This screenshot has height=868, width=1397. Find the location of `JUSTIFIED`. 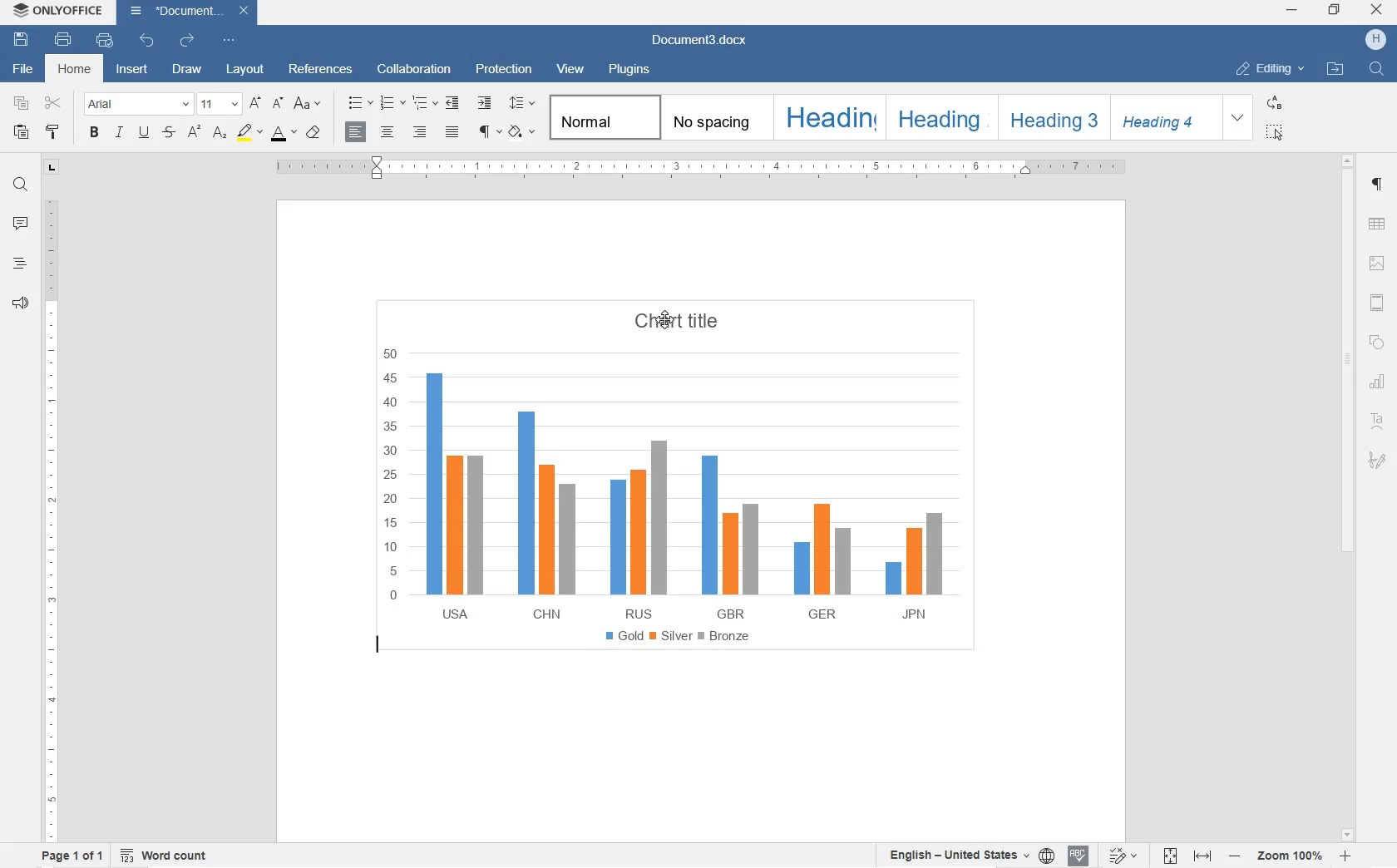

JUSTIFIED is located at coordinates (452, 133).